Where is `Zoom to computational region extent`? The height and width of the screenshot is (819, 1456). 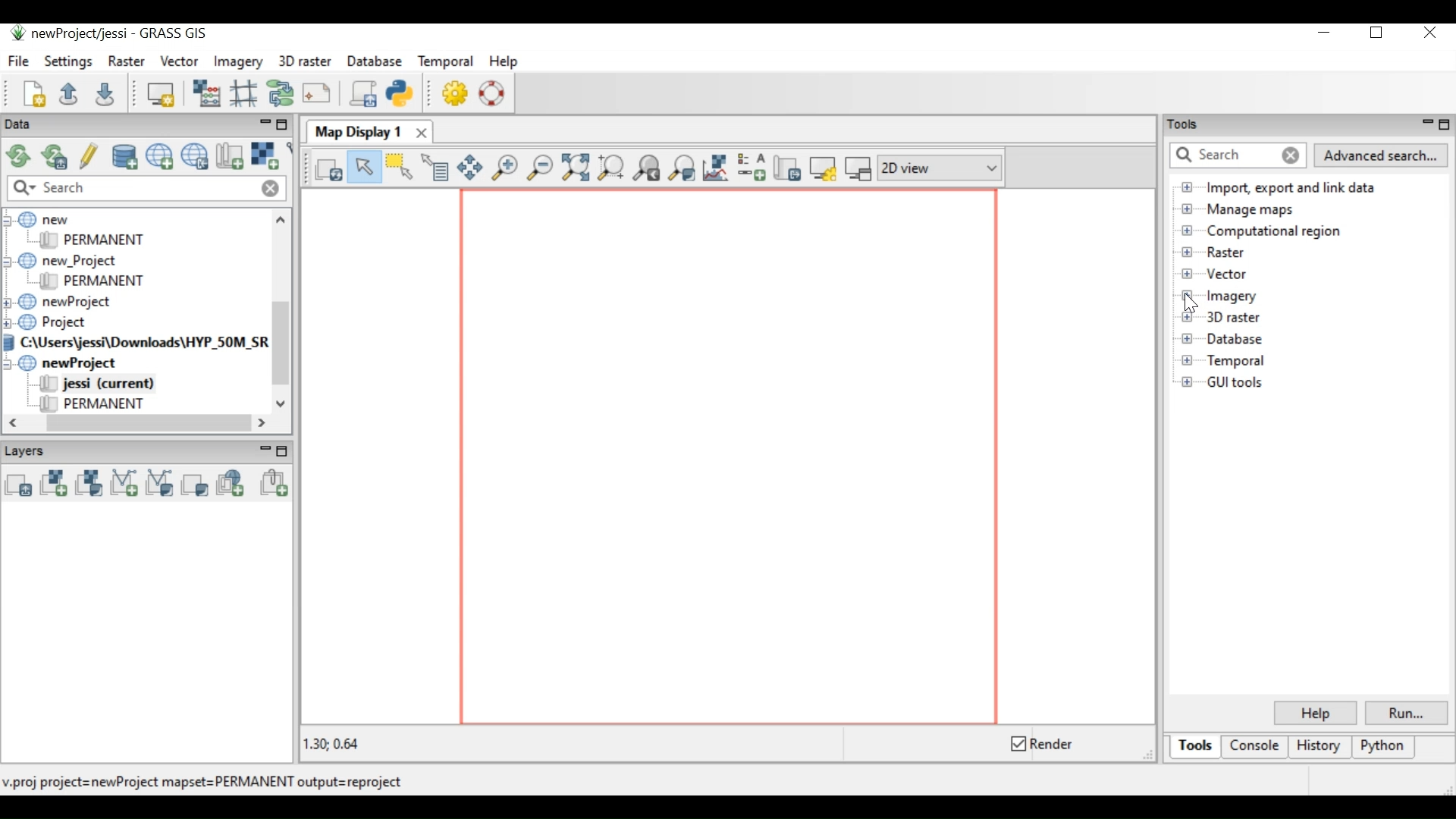 Zoom to computational region extent is located at coordinates (611, 168).